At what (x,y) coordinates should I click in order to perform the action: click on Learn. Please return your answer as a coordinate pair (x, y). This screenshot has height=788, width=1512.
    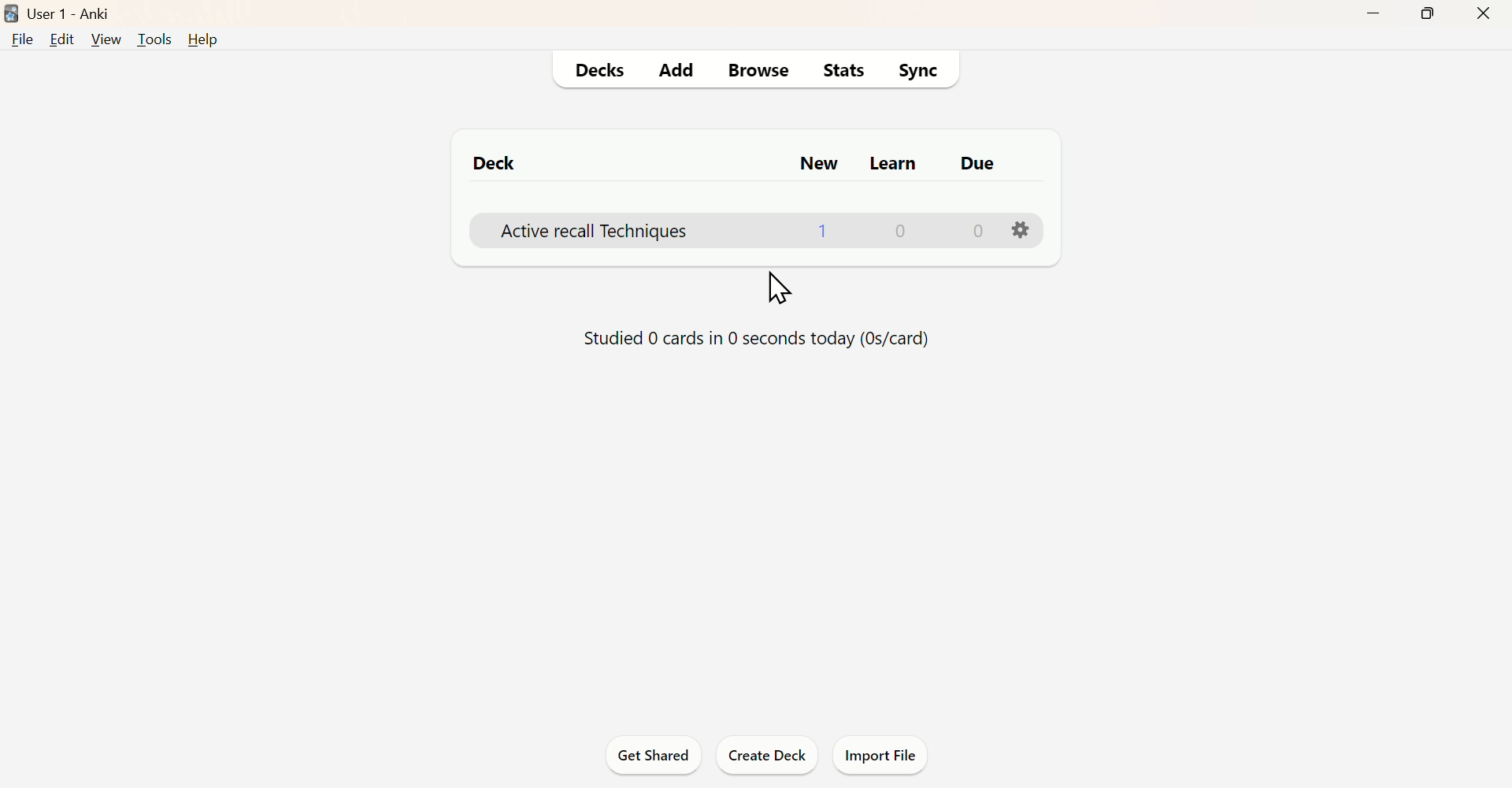
    Looking at the image, I should click on (897, 165).